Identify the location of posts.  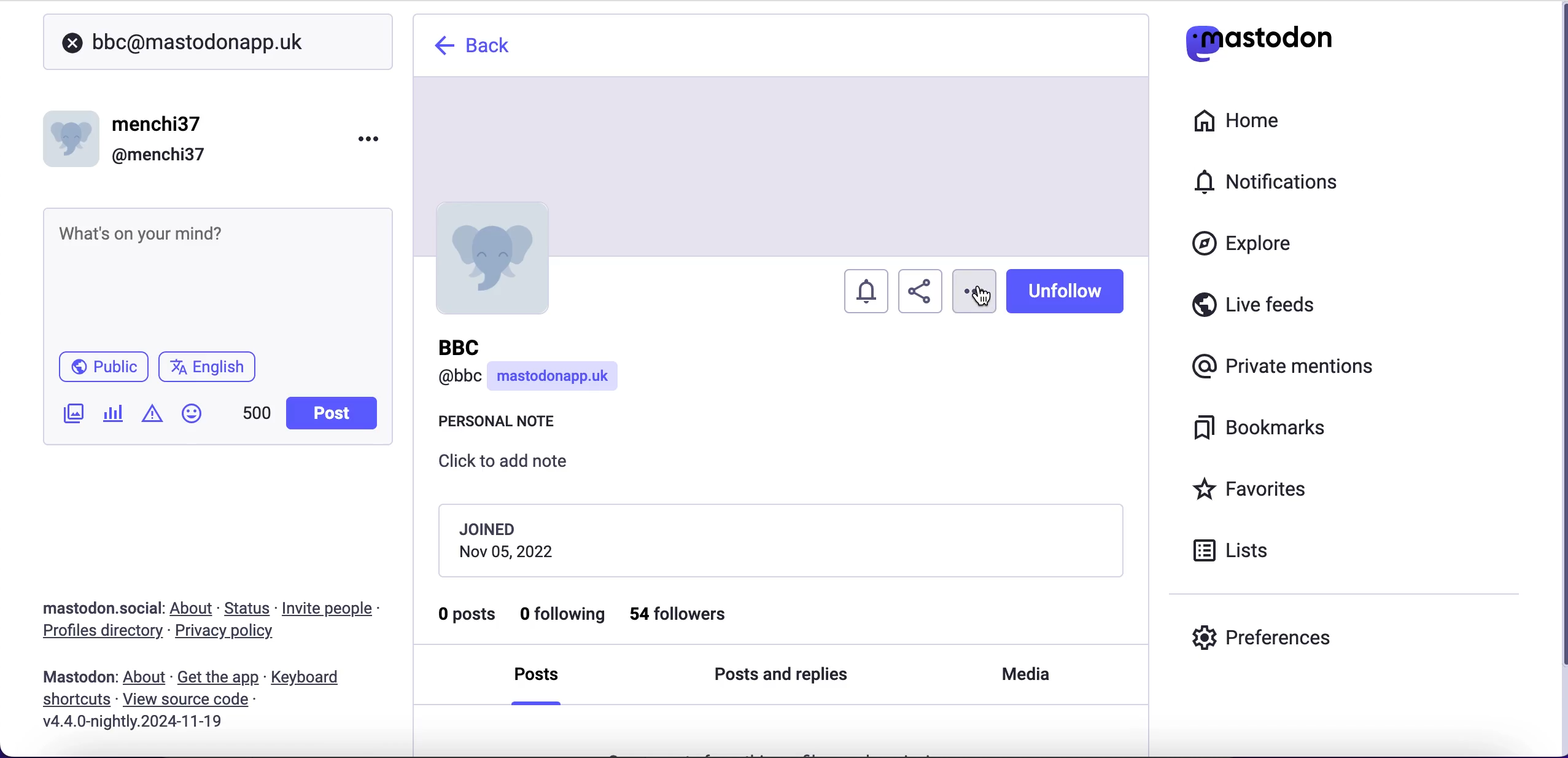
(545, 679).